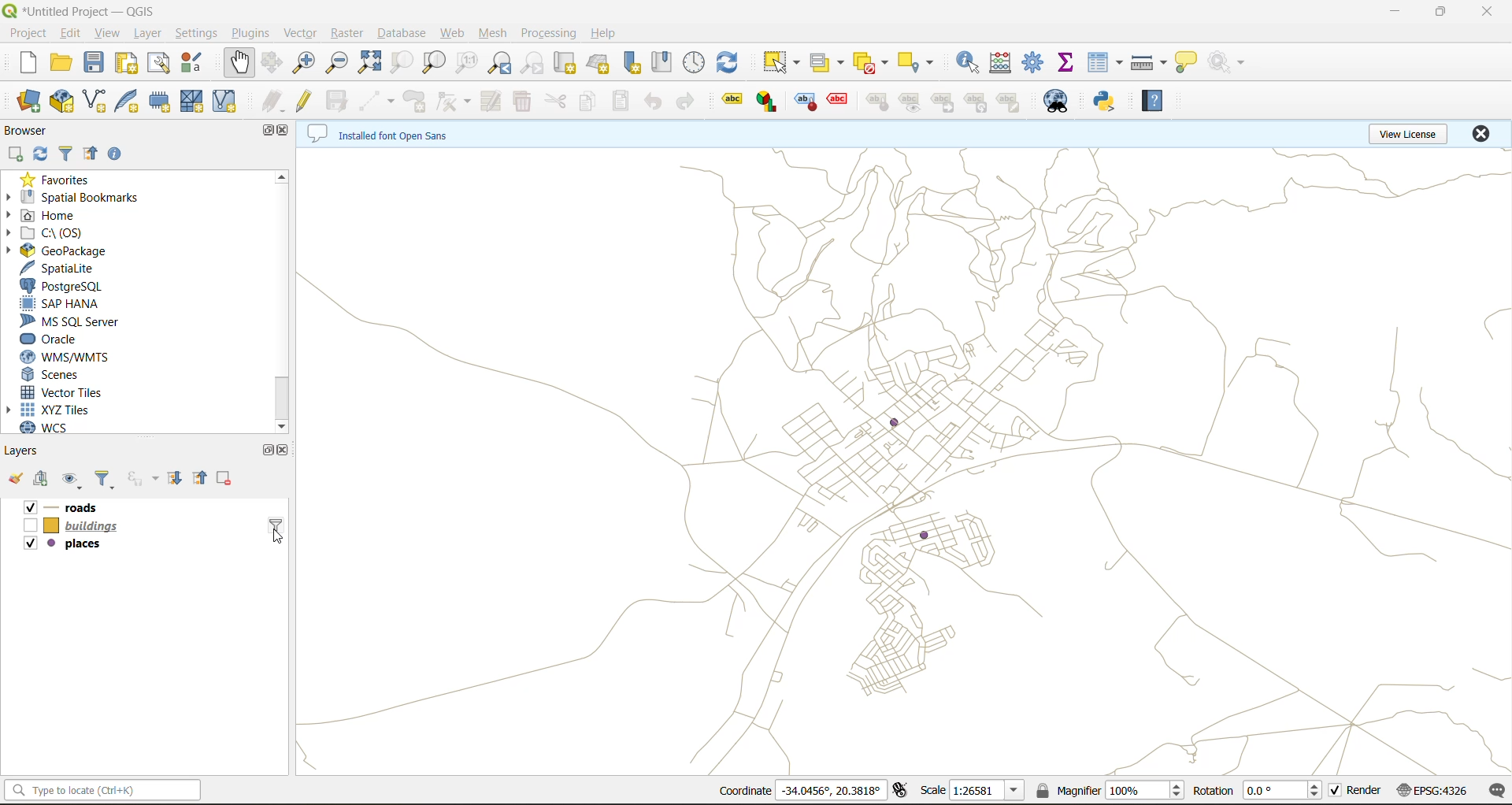  What do you see at coordinates (62, 178) in the screenshot?
I see `favorites` at bounding box center [62, 178].